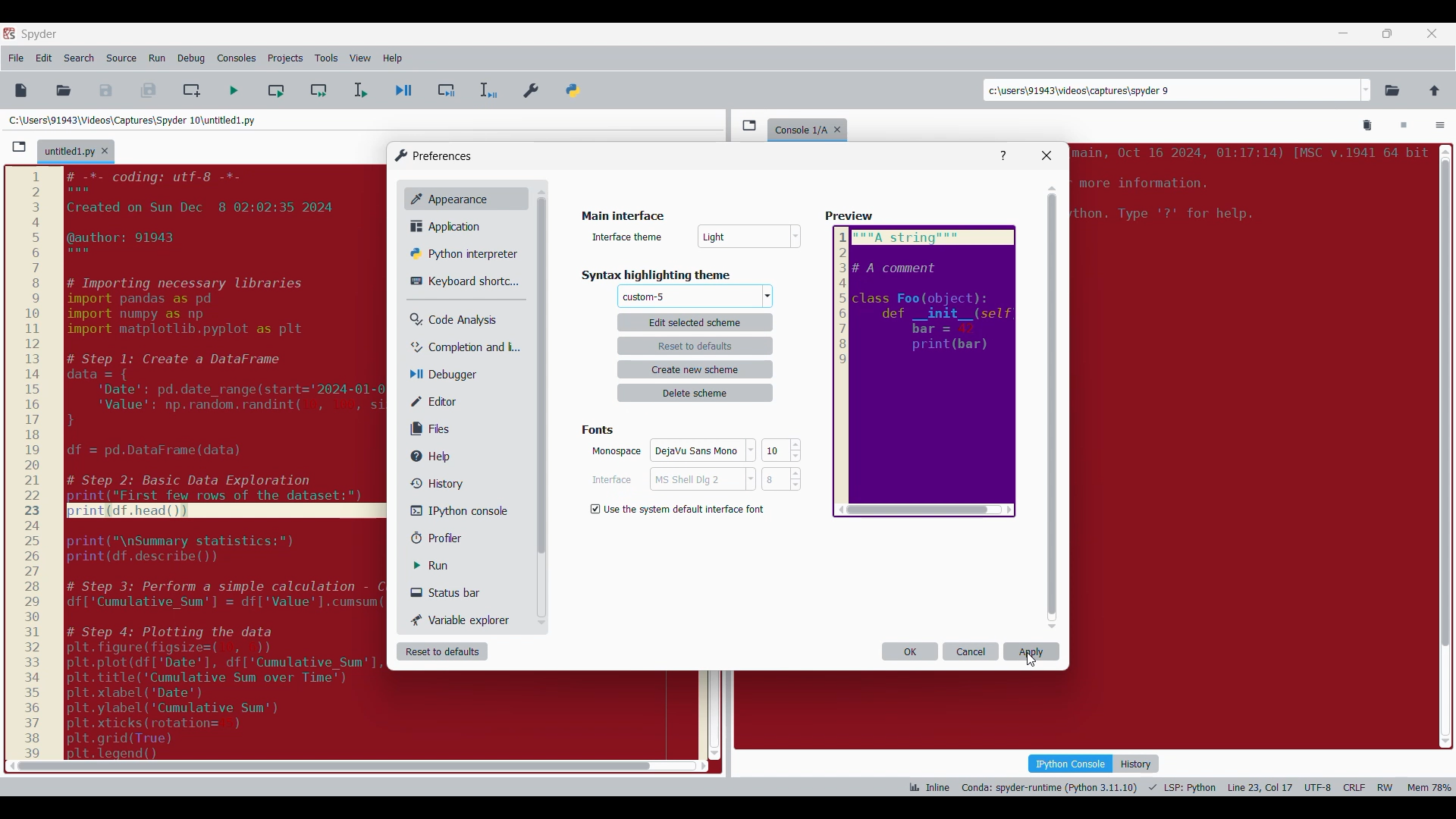 The width and height of the screenshot is (1456, 819). What do you see at coordinates (697, 369) in the screenshot?
I see `create new scheme` at bounding box center [697, 369].